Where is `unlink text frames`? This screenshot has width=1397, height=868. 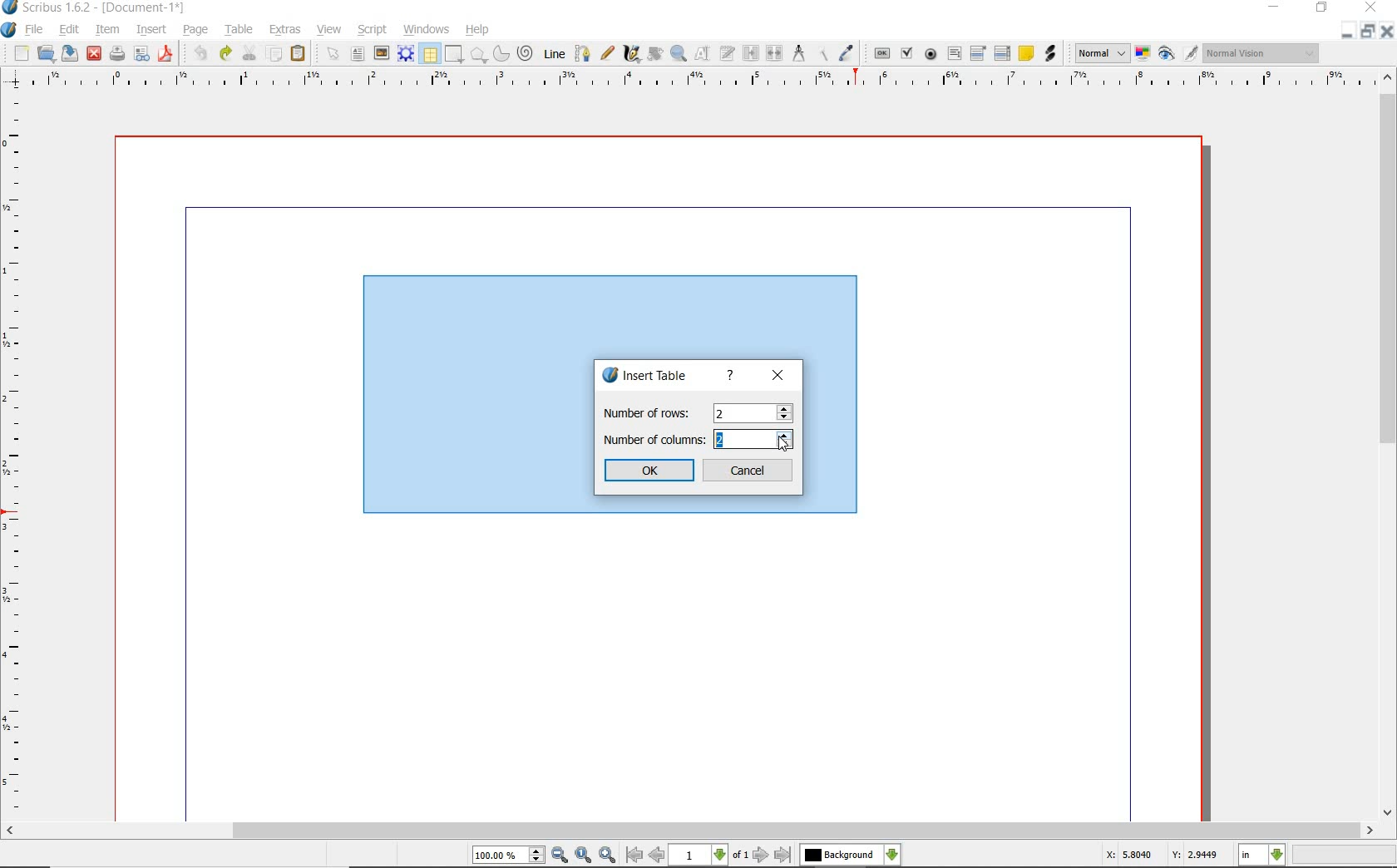
unlink text frames is located at coordinates (776, 53).